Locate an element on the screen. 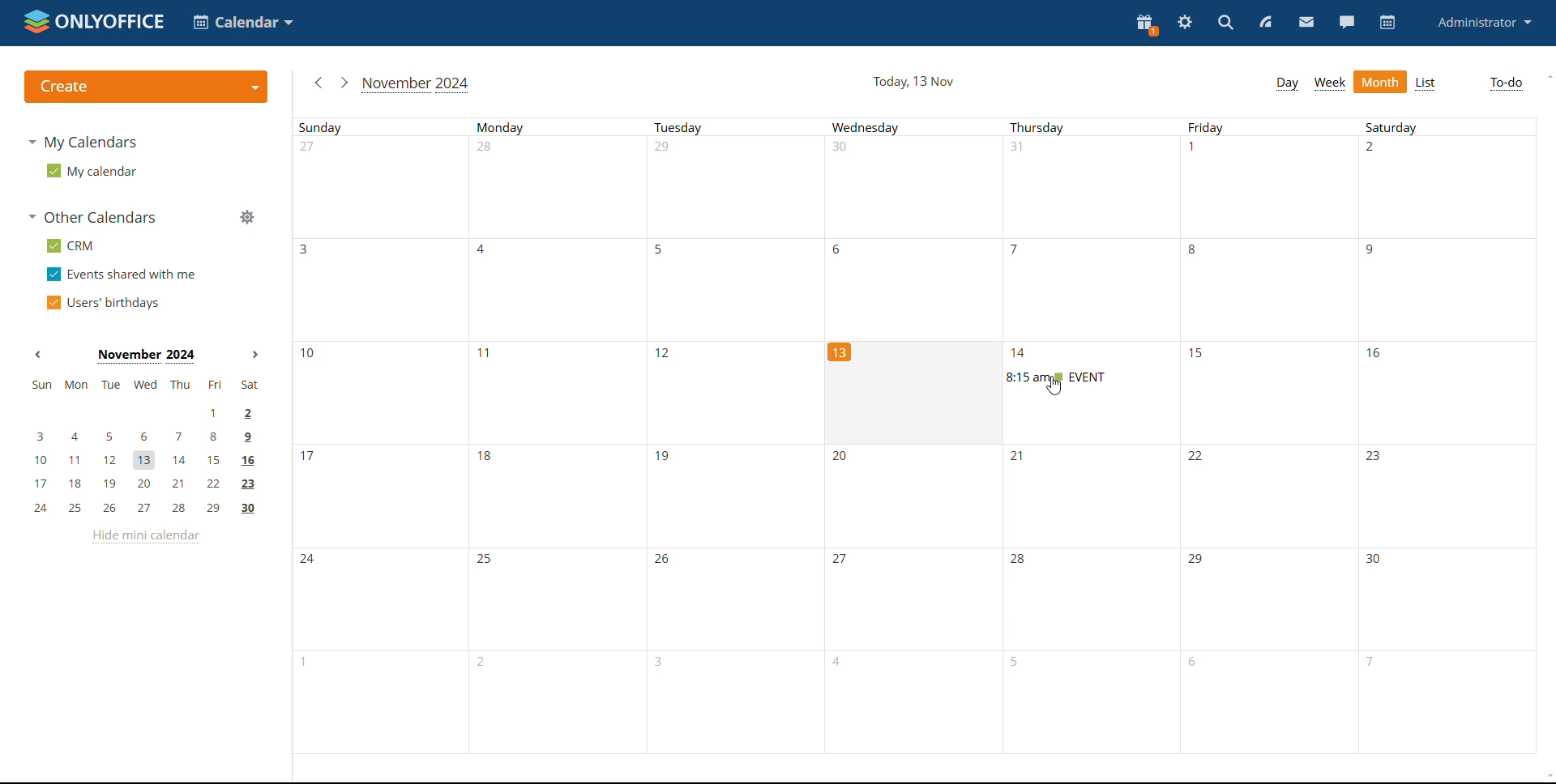 This screenshot has height=784, width=1556. hide mini calendar is located at coordinates (143, 536).